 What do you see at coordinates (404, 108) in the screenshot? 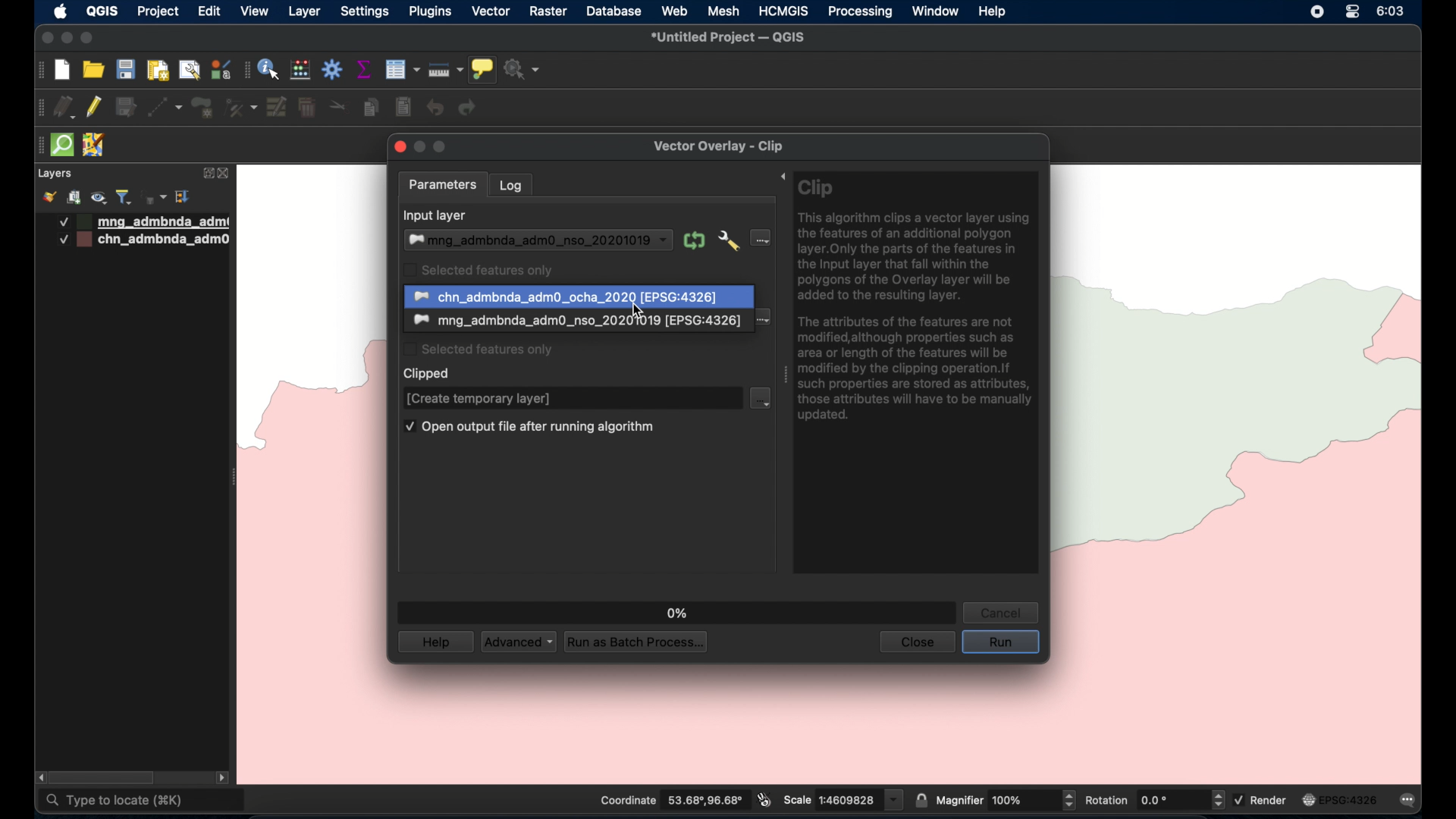
I see `paste features` at bounding box center [404, 108].